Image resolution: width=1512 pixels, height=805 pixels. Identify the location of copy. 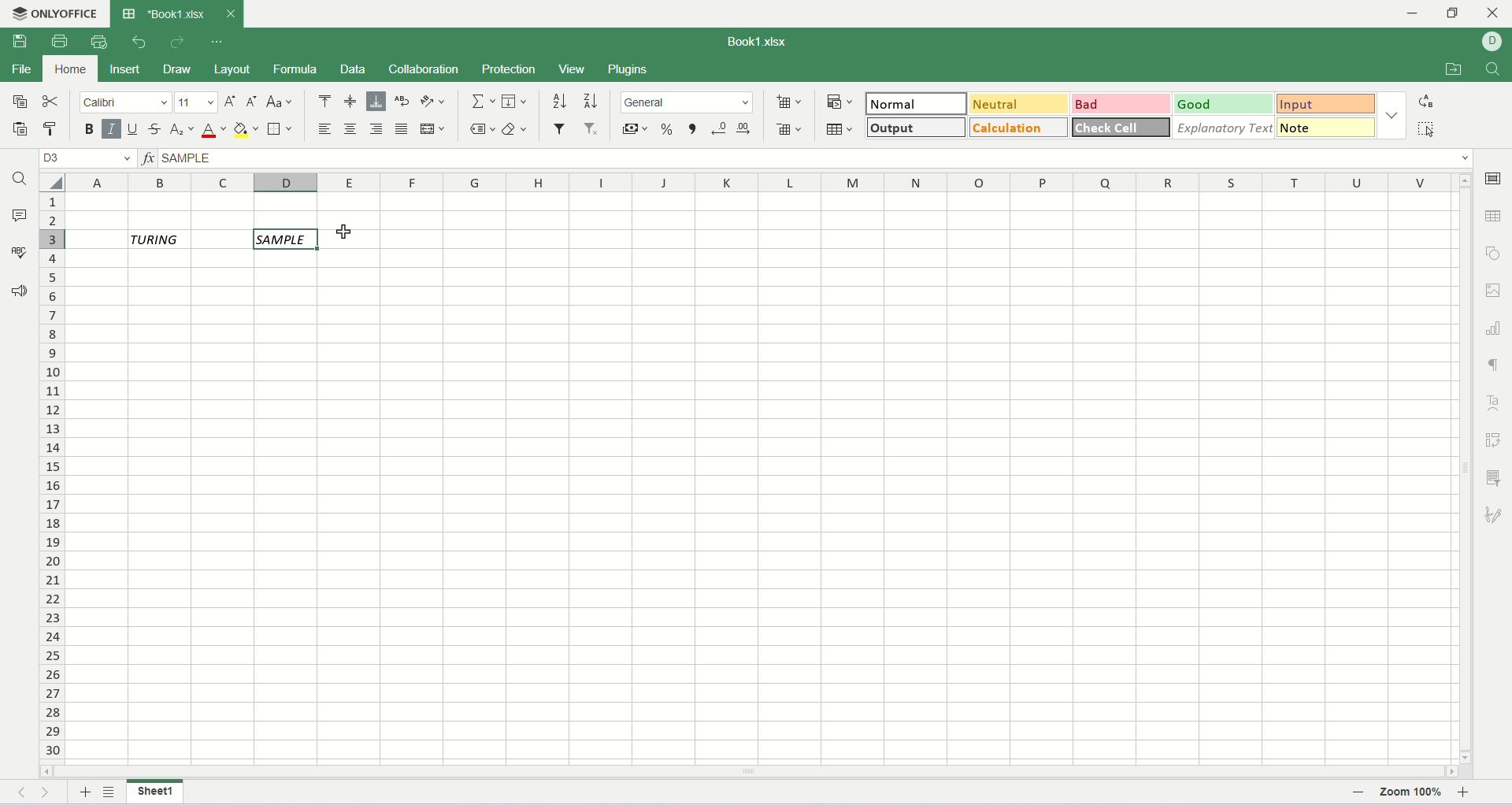
(15, 101).